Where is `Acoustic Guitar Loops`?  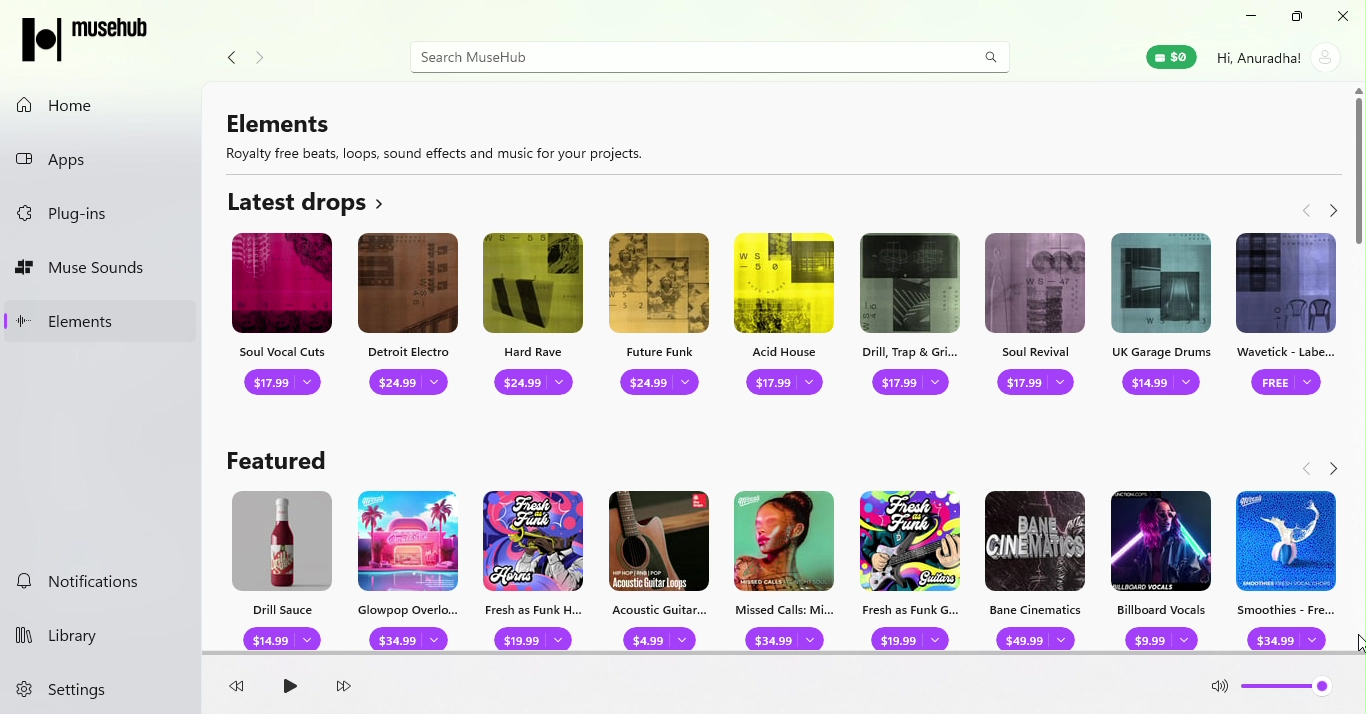 Acoustic Guitar Loops is located at coordinates (656, 569).